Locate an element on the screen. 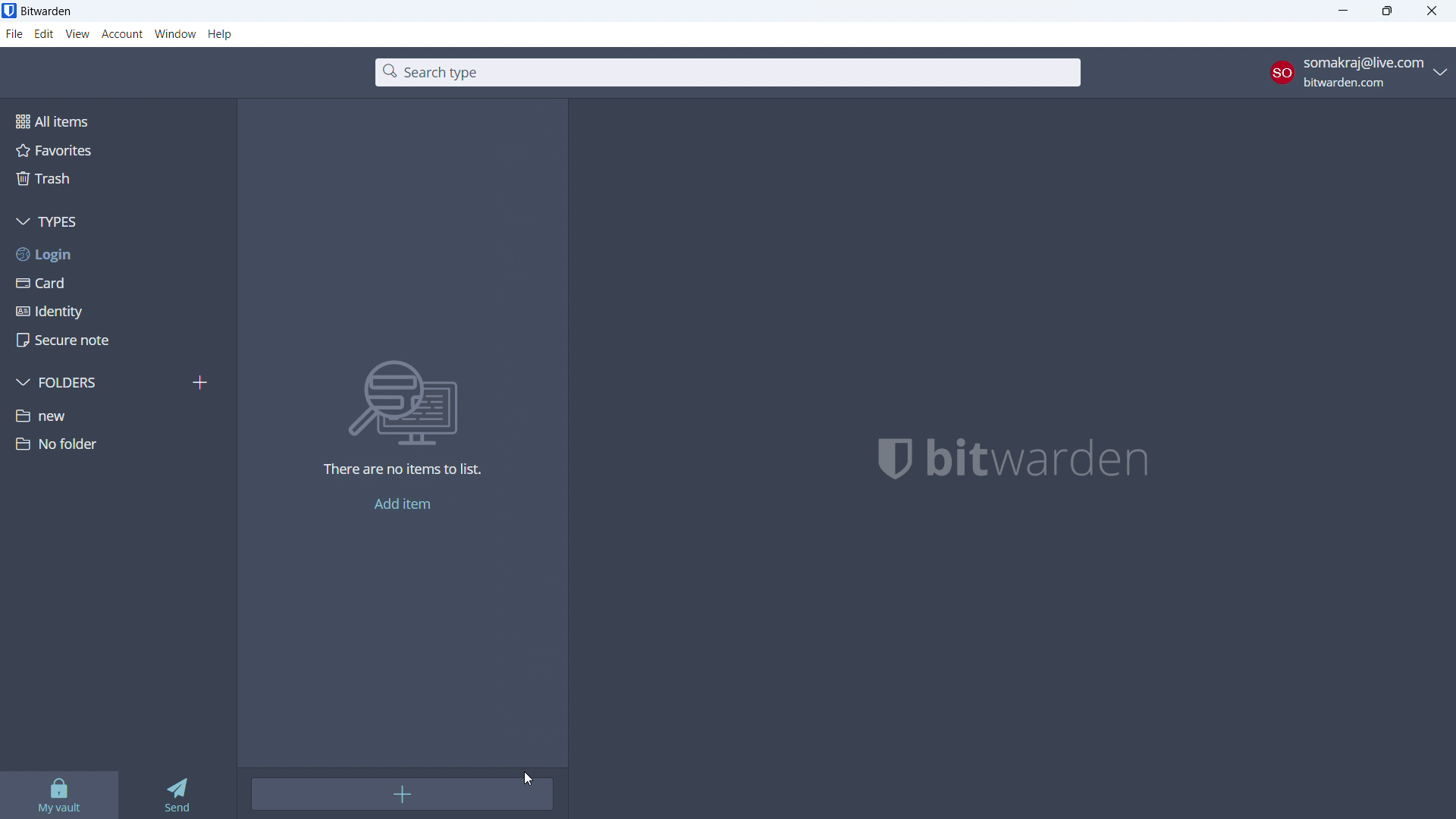  folder 1 is located at coordinates (118, 414).